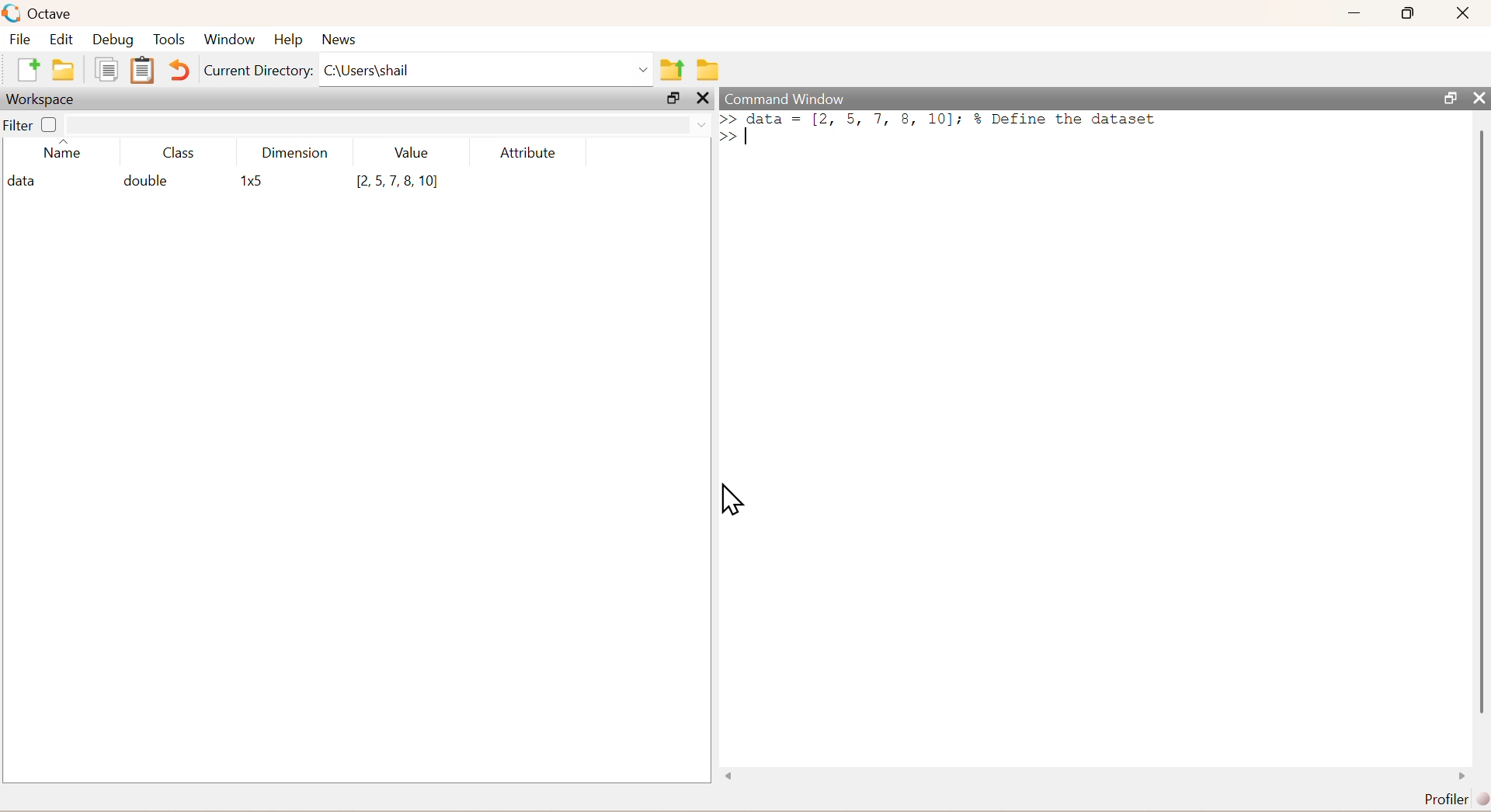 The image size is (1491, 812). What do you see at coordinates (705, 98) in the screenshot?
I see `close` at bounding box center [705, 98].